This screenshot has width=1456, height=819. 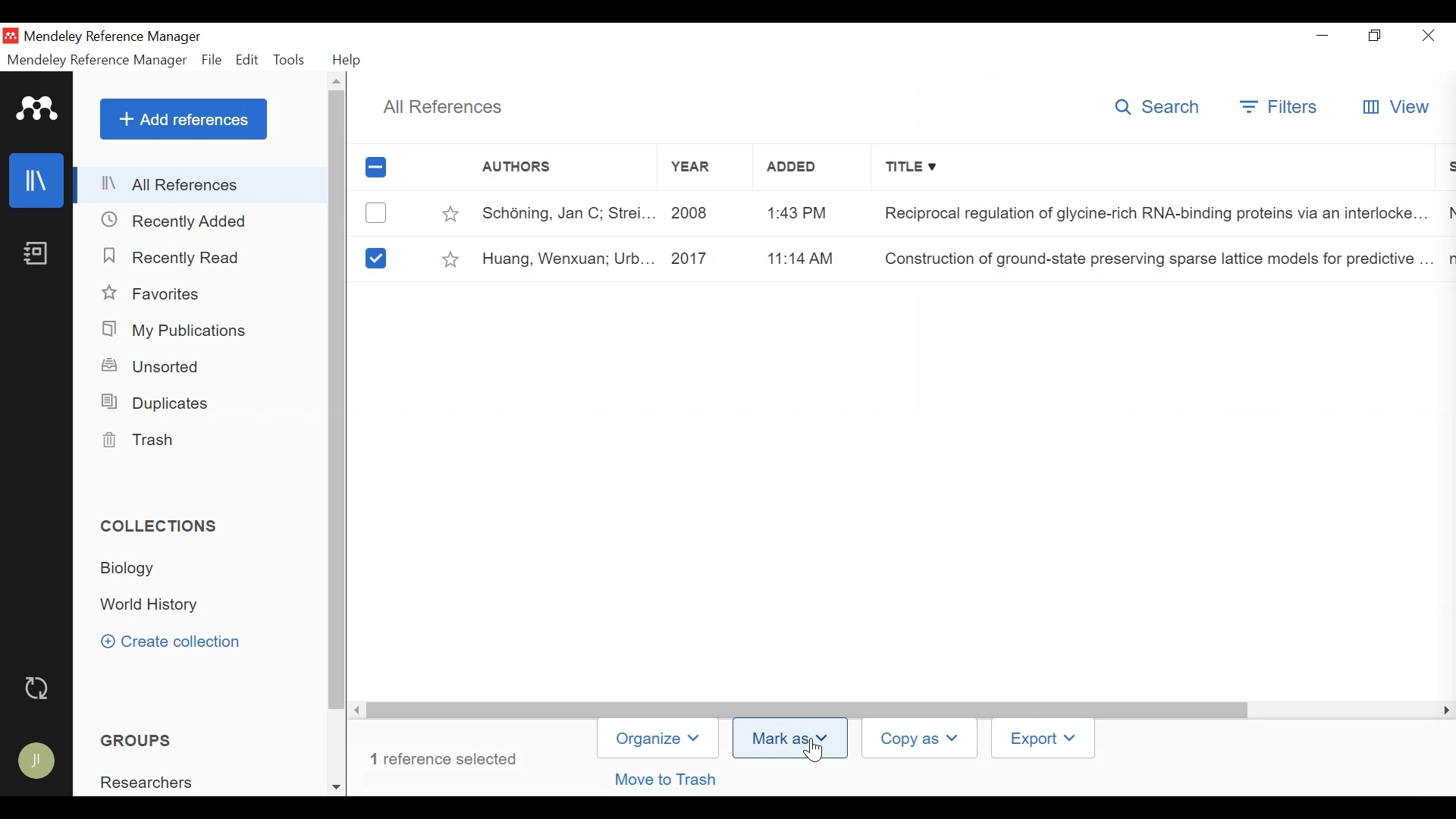 What do you see at coordinates (1443, 708) in the screenshot?
I see `Scroll Right` at bounding box center [1443, 708].